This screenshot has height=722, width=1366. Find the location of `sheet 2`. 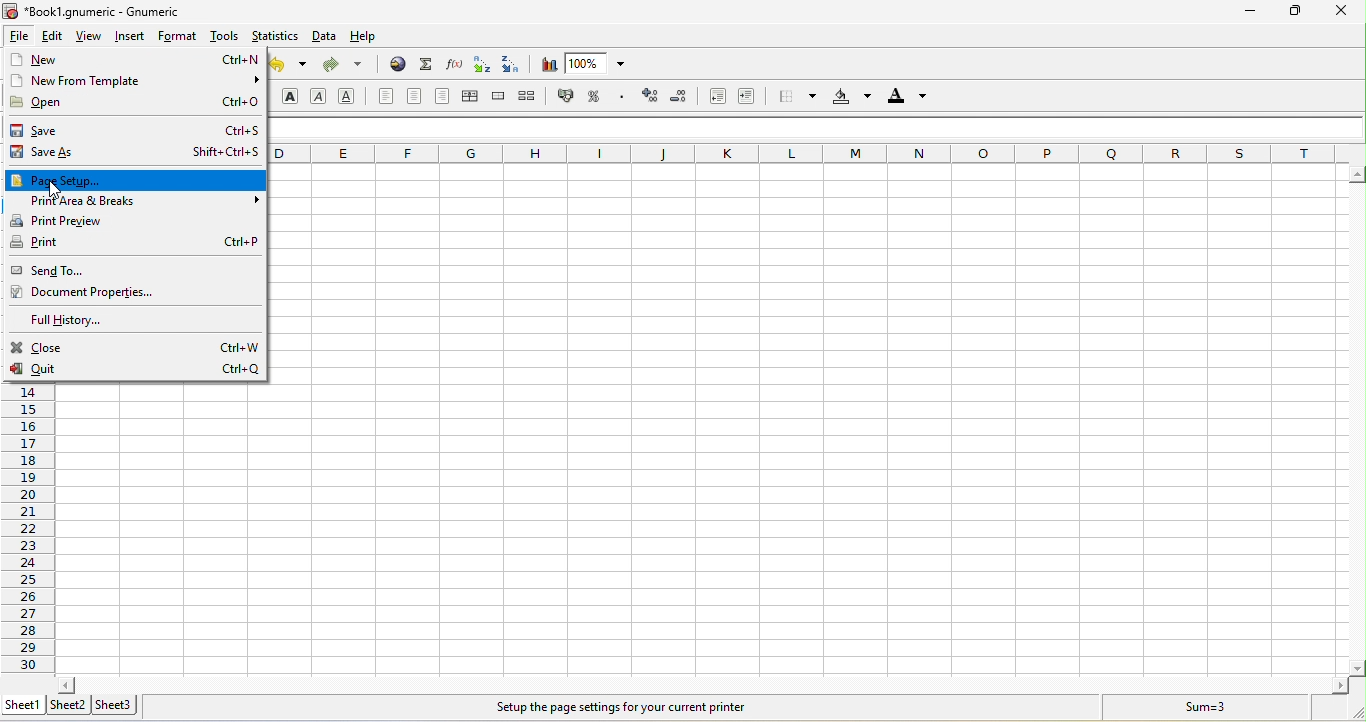

sheet 2 is located at coordinates (71, 706).